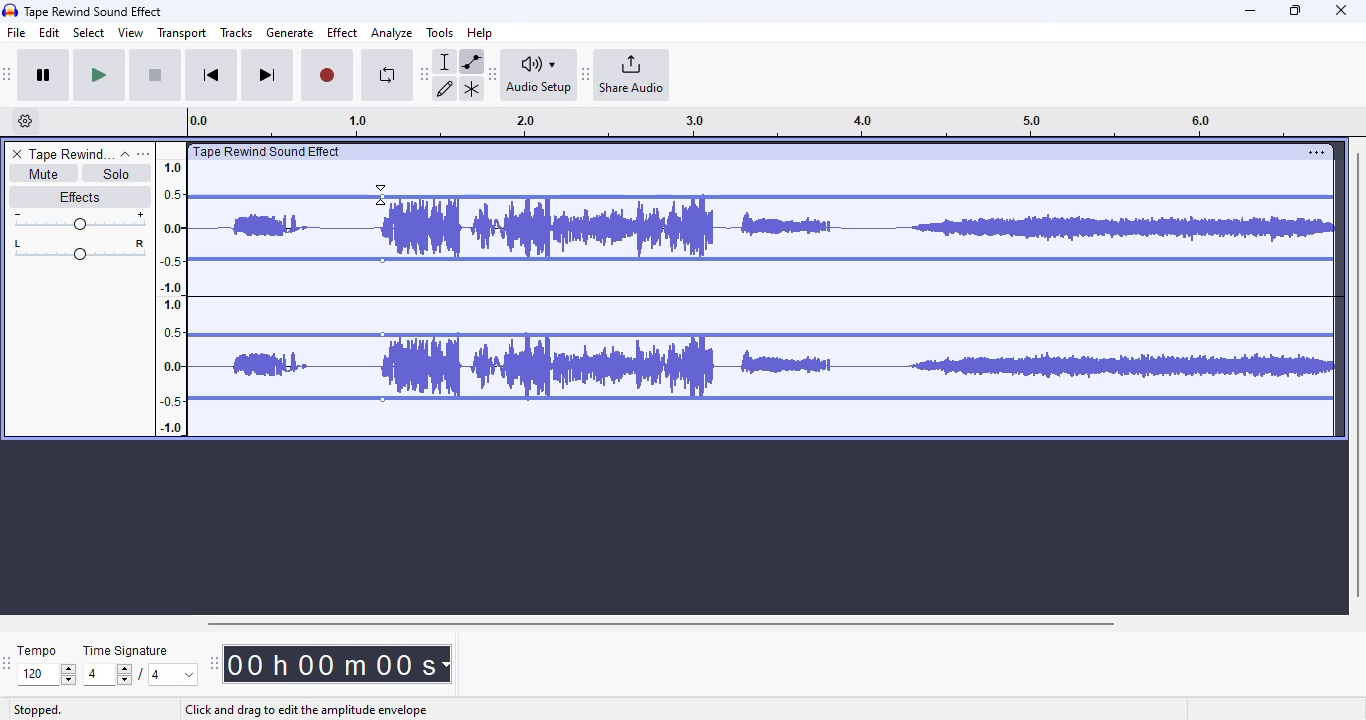 The image size is (1366, 720). I want to click on effects, so click(79, 196).